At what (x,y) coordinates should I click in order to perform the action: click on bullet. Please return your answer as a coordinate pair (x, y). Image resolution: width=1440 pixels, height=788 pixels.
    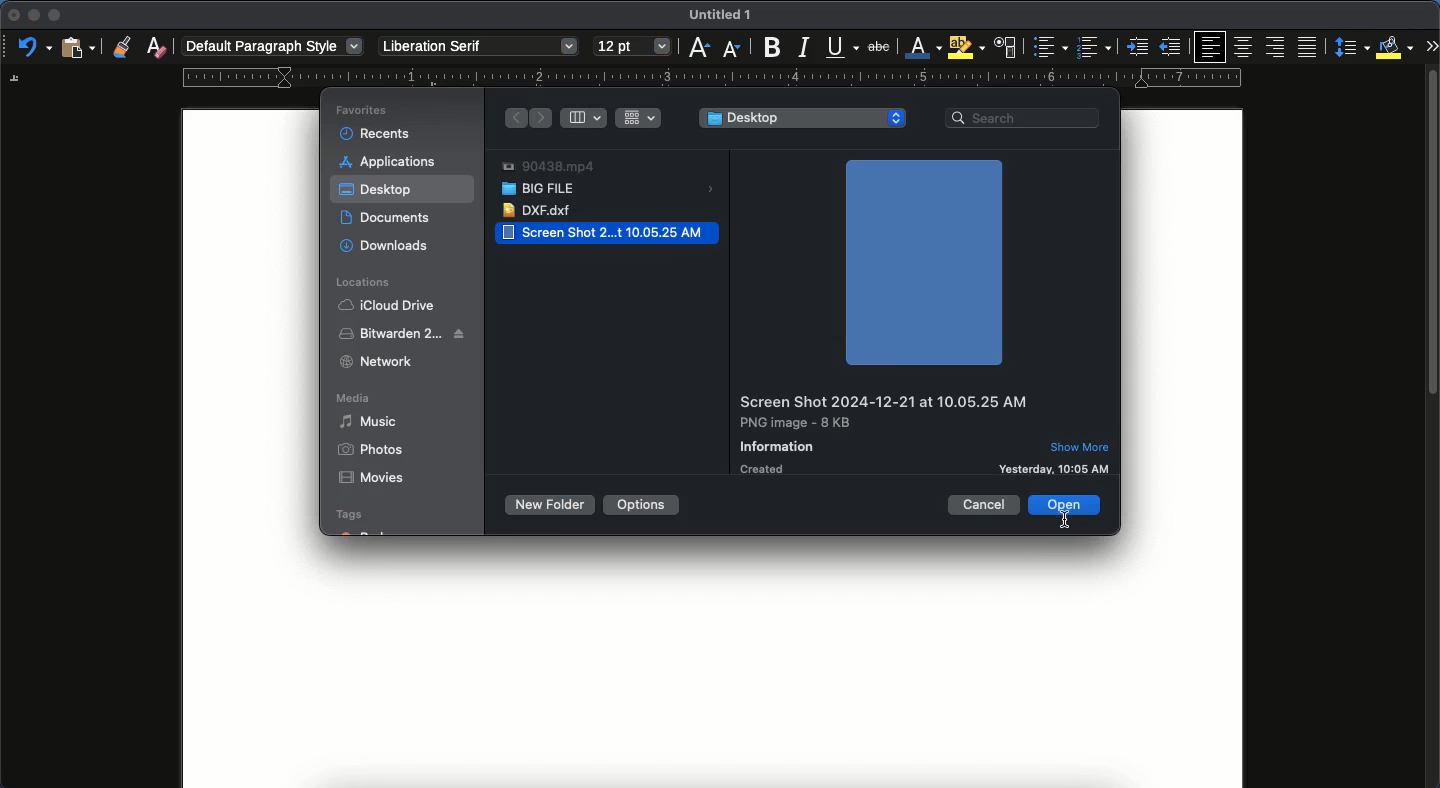
    Looking at the image, I should click on (1048, 47).